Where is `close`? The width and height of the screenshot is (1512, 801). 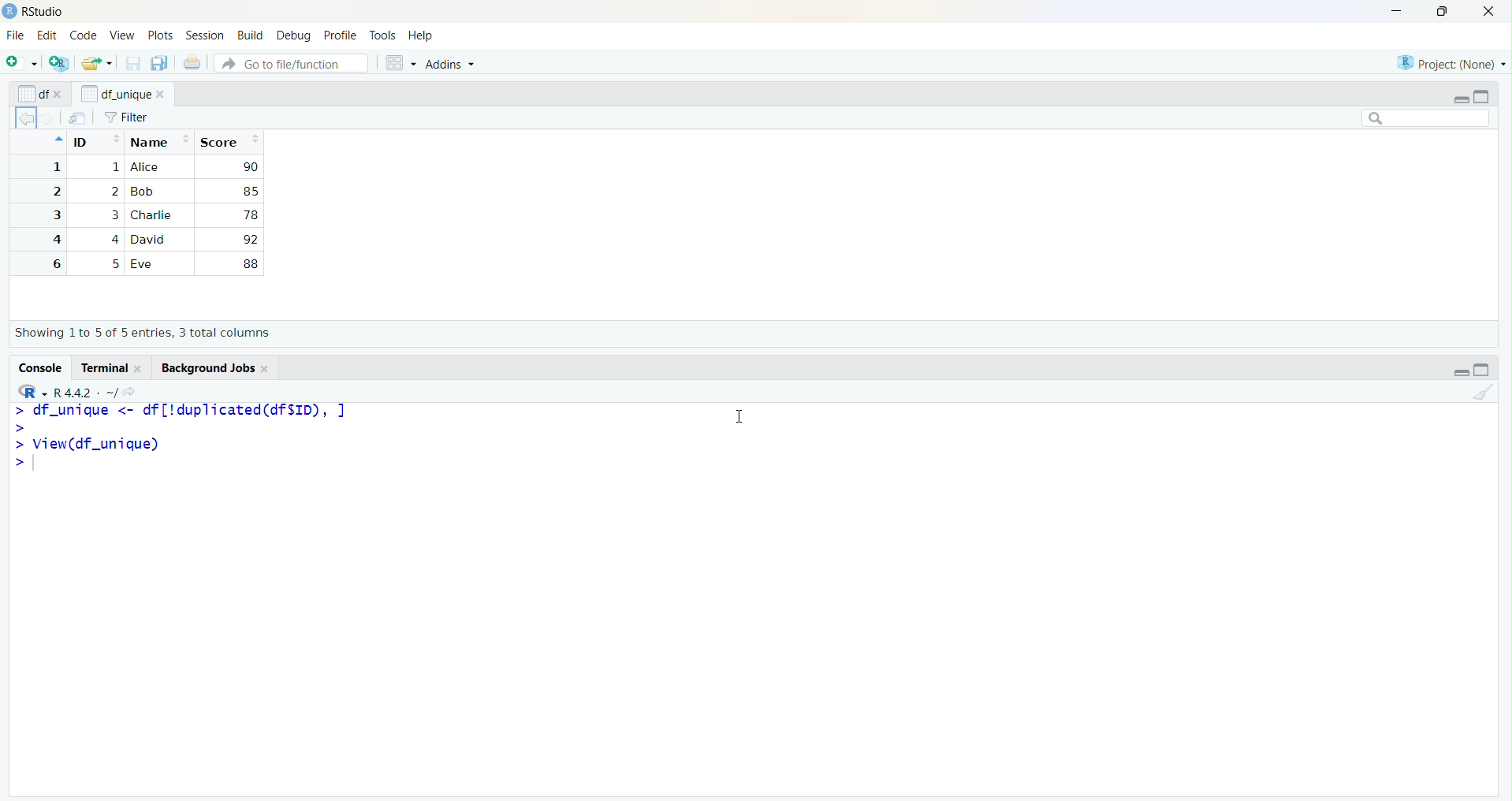
close is located at coordinates (61, 95).